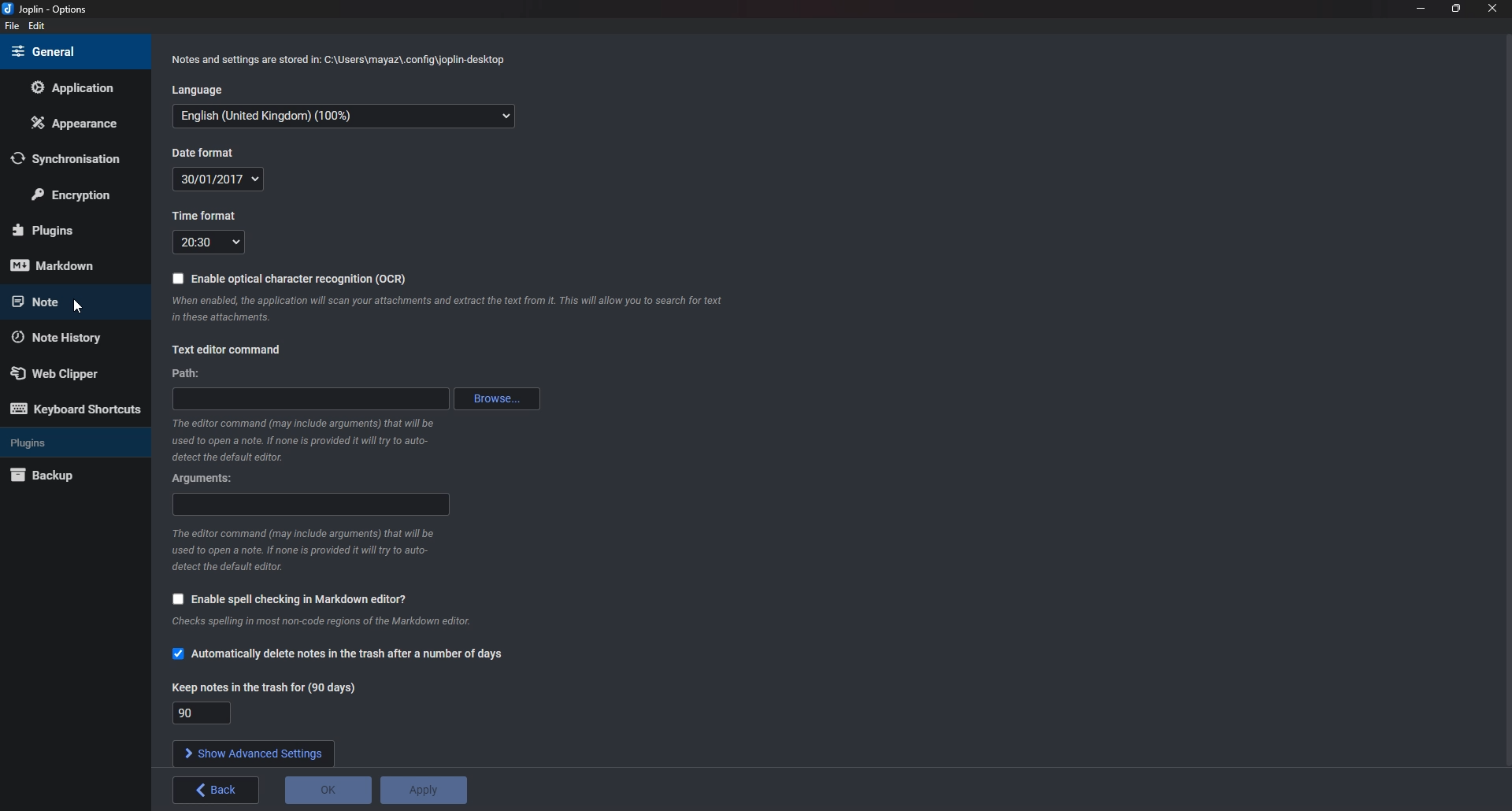  Describe the element at coordinates (218, 180) in the screenshot. I see `Date format` at that location.